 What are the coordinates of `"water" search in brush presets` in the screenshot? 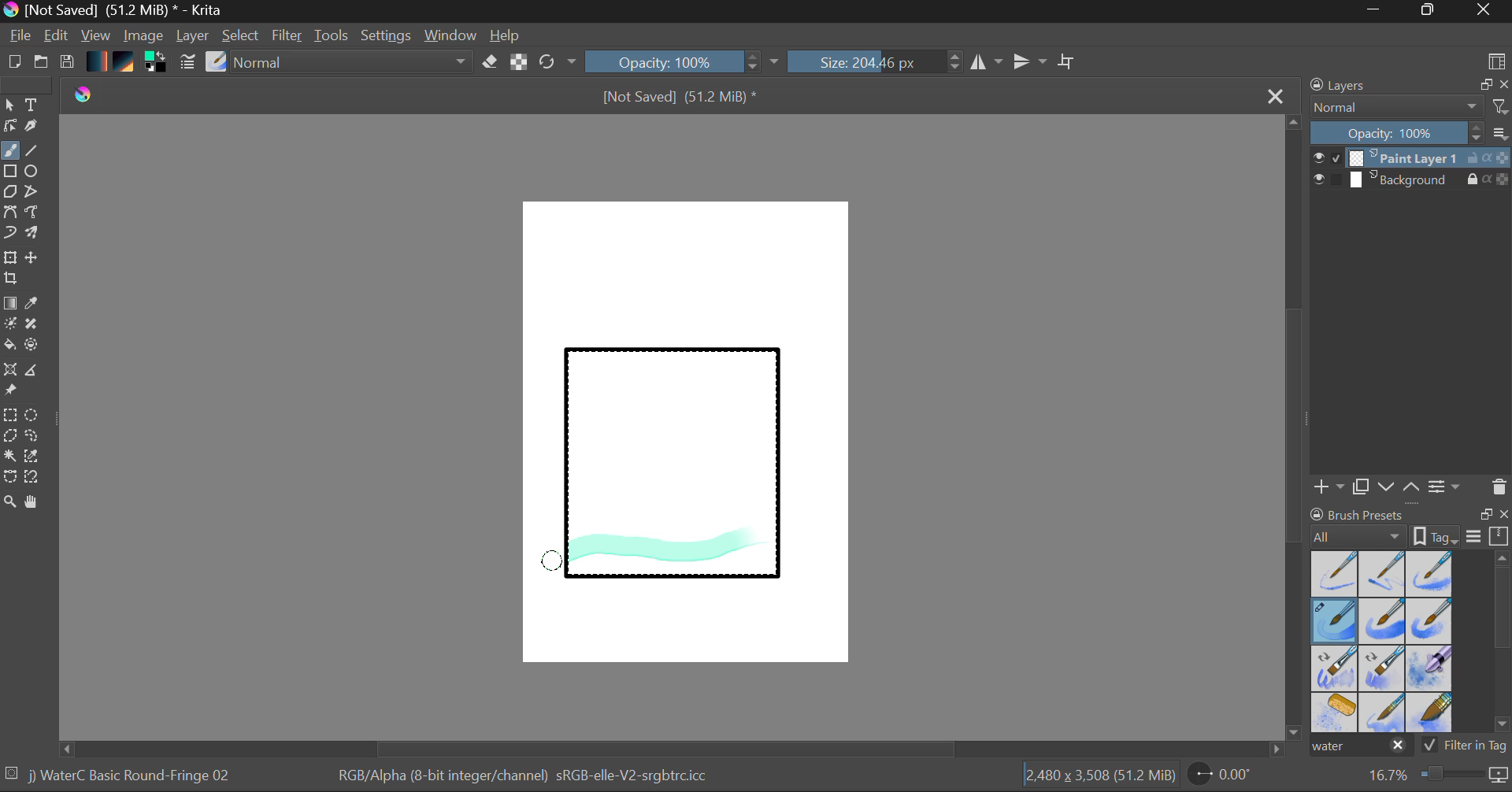 It's located at (1359, 749).